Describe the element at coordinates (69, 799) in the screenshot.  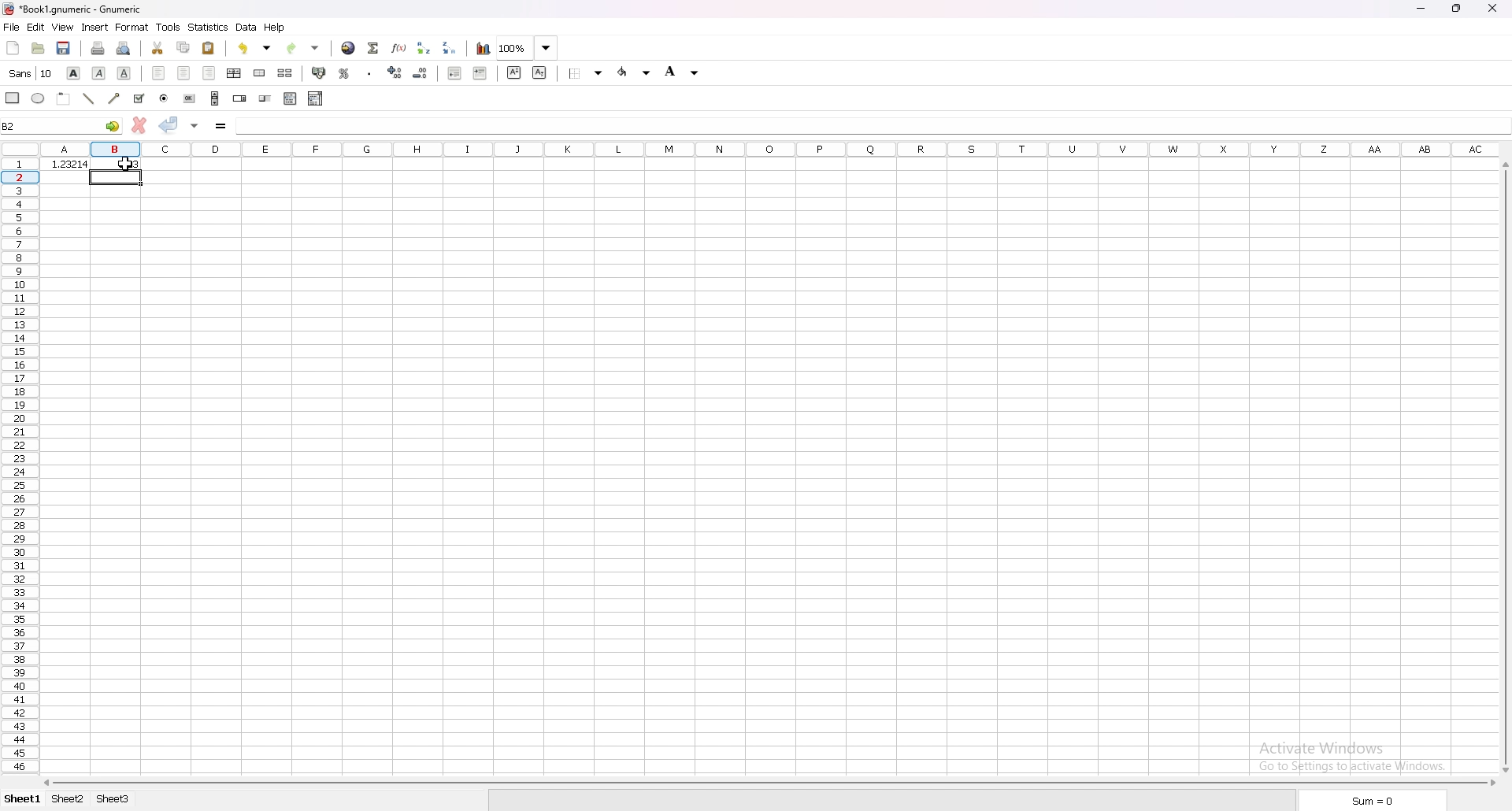
I see `sheet 2` at that location.